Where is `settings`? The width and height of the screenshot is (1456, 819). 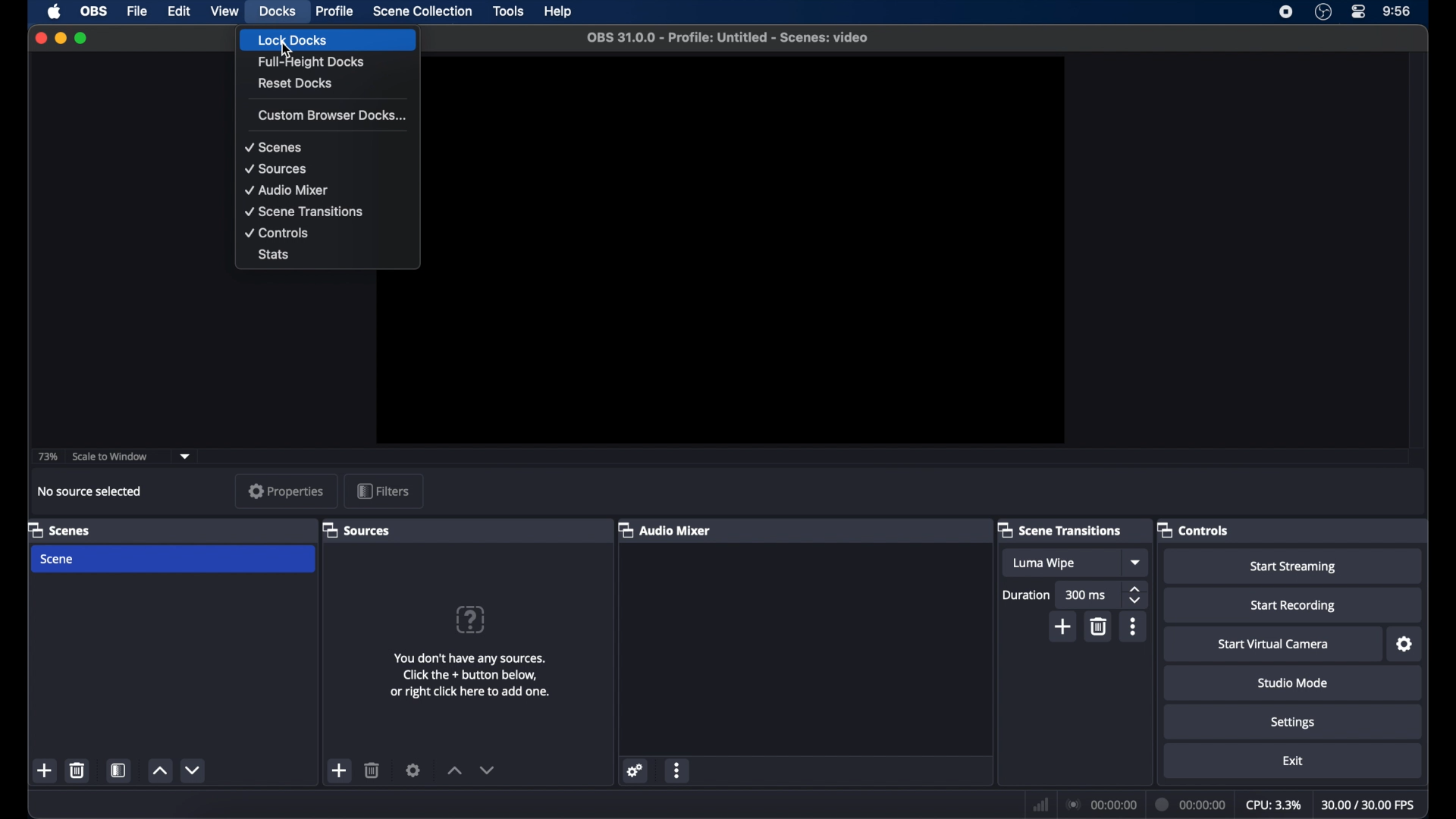
settings is located at coordinates (1404, 644).